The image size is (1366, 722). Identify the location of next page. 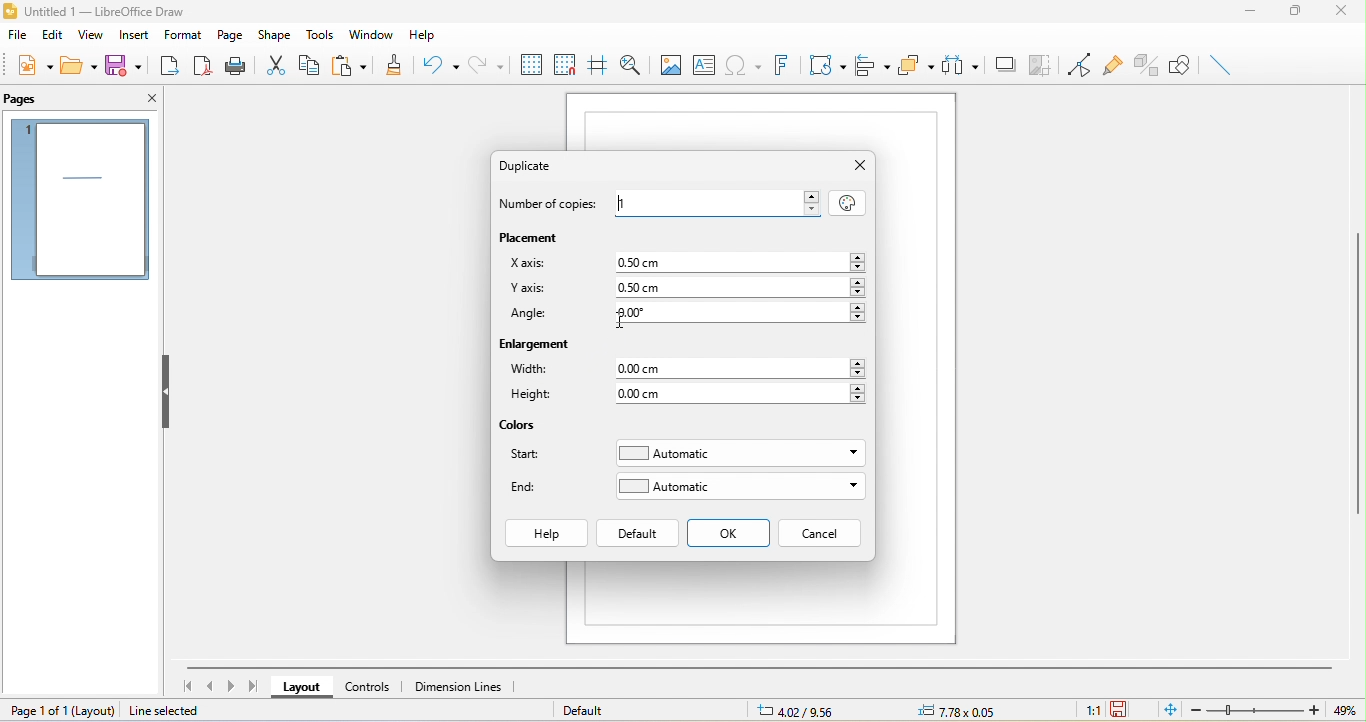
(232, 685).